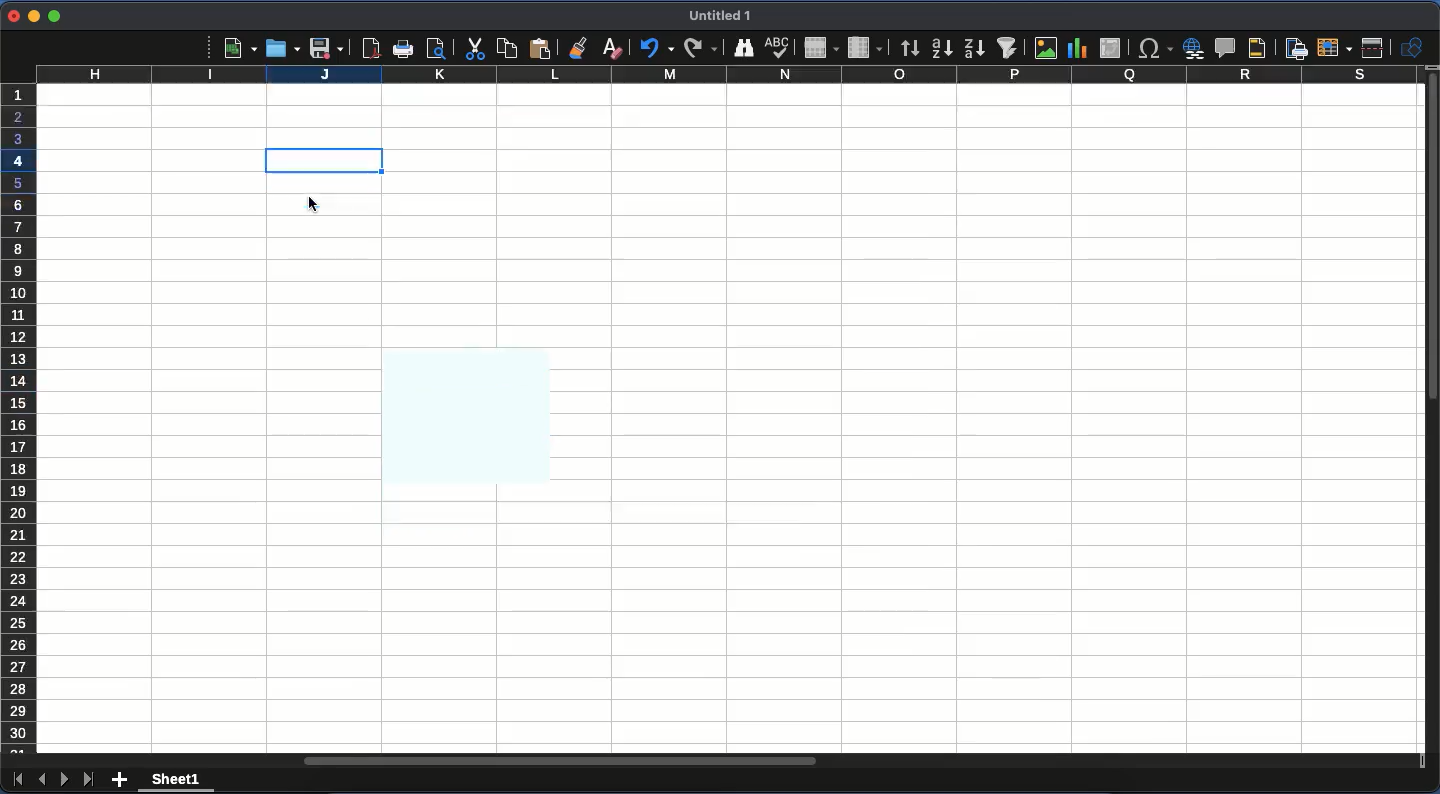  Describe the element at coordinates (588, 46) in the screenshot. I see `clone formatting` at that location.